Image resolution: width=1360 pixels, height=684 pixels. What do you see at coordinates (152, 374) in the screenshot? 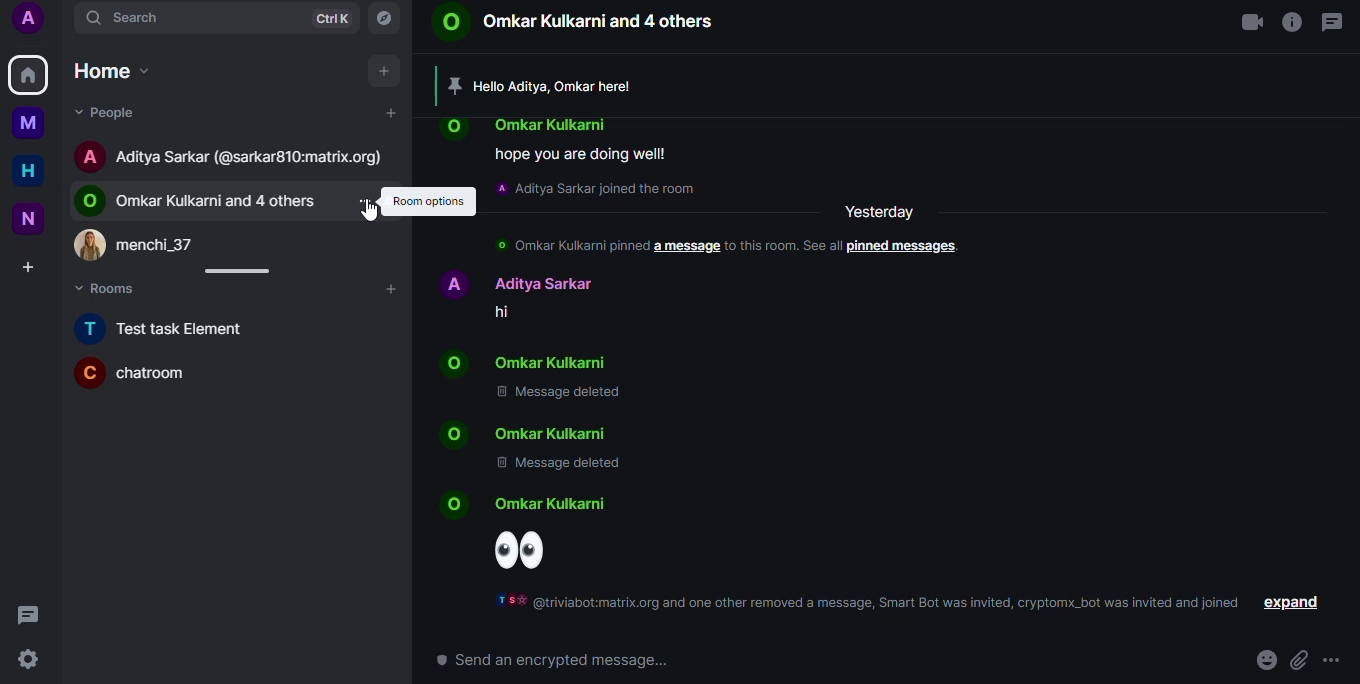
I see `C chatroom` at bounding box center [152, 374].